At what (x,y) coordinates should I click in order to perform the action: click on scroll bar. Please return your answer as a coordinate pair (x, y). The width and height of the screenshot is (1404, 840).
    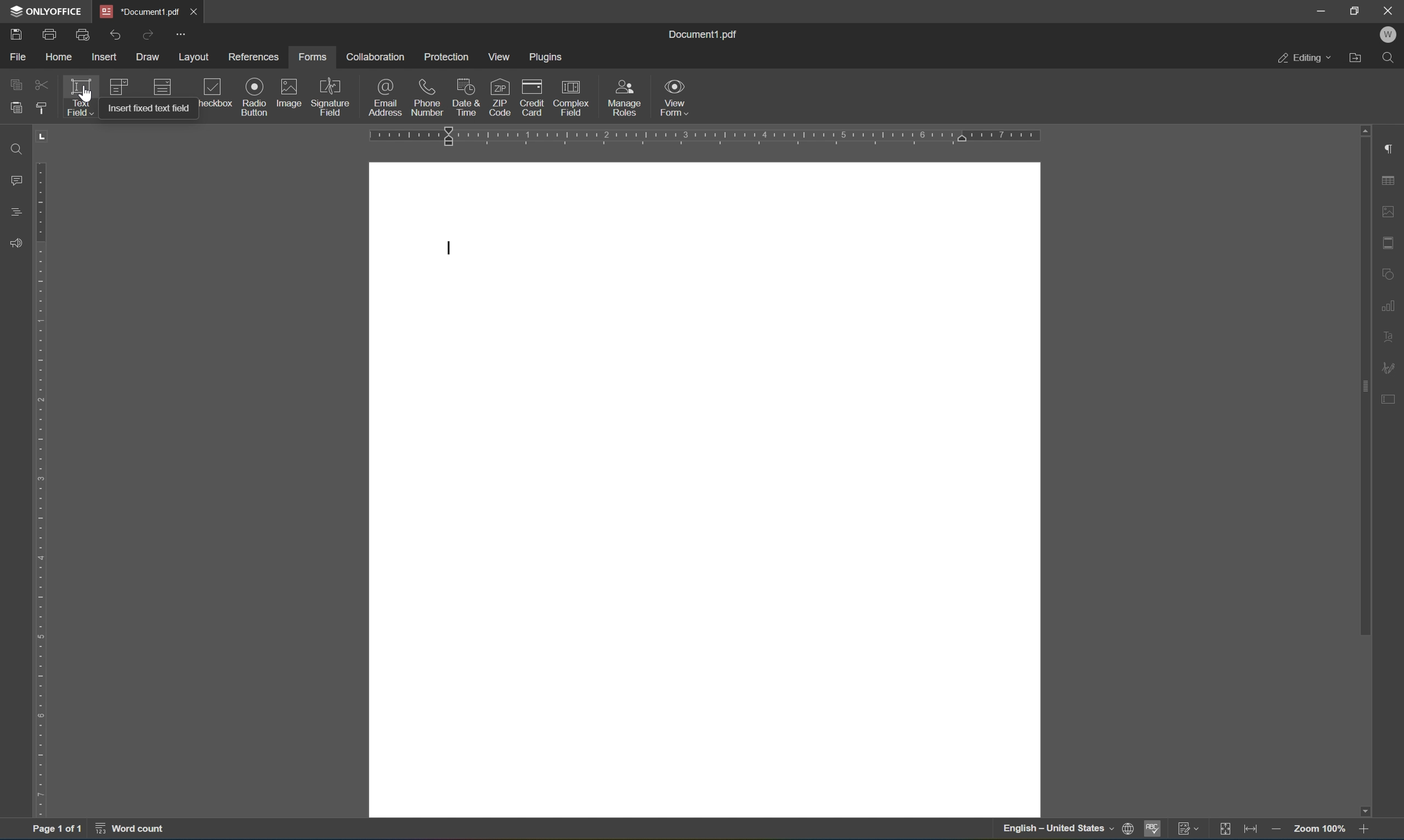
    Looking at the image, I should click on (1363, 389).